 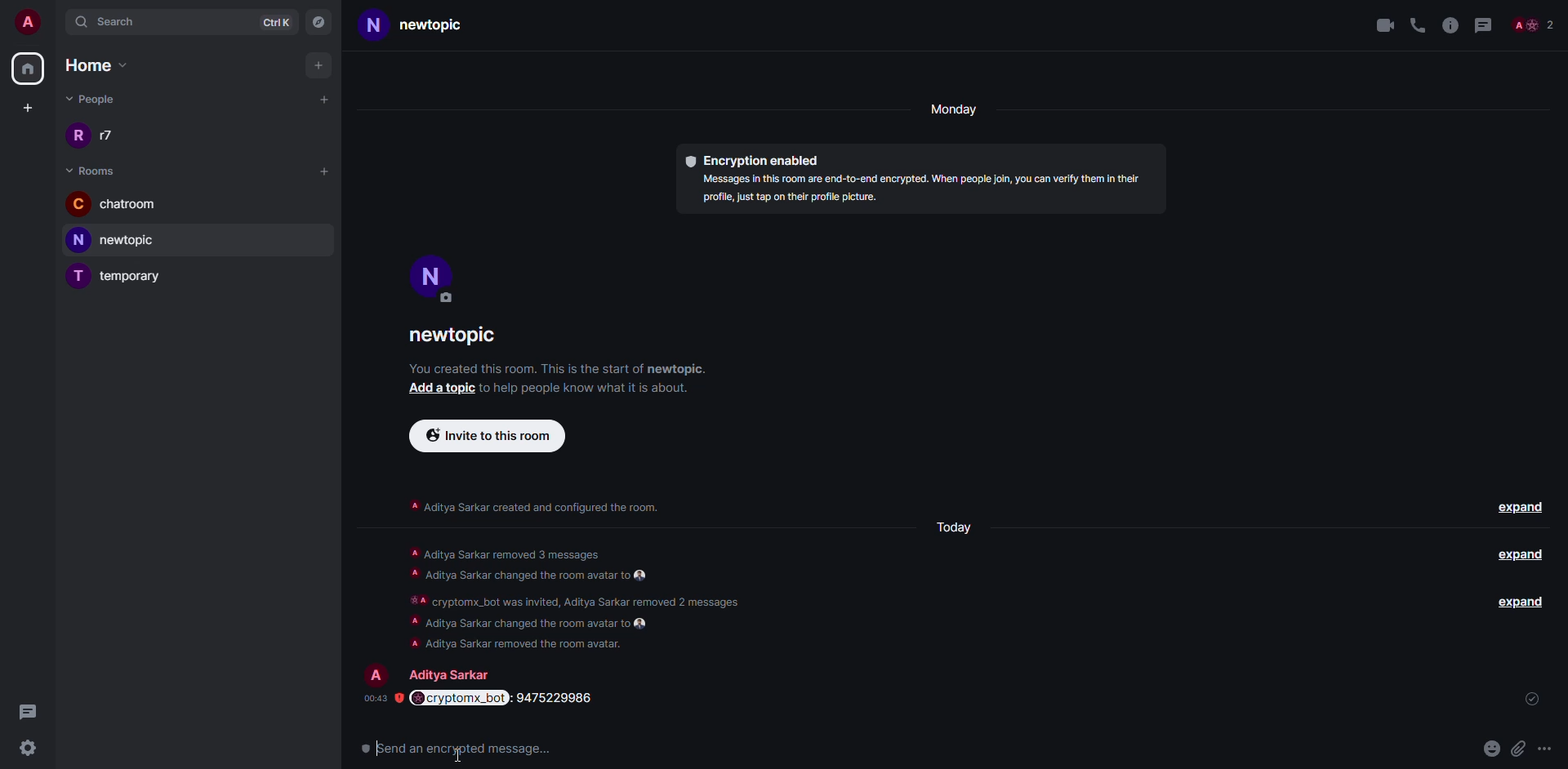 What do you see at coordinates (1518, 603) in the screenshot?
I see `expand` at bounding box center [1518, 603].